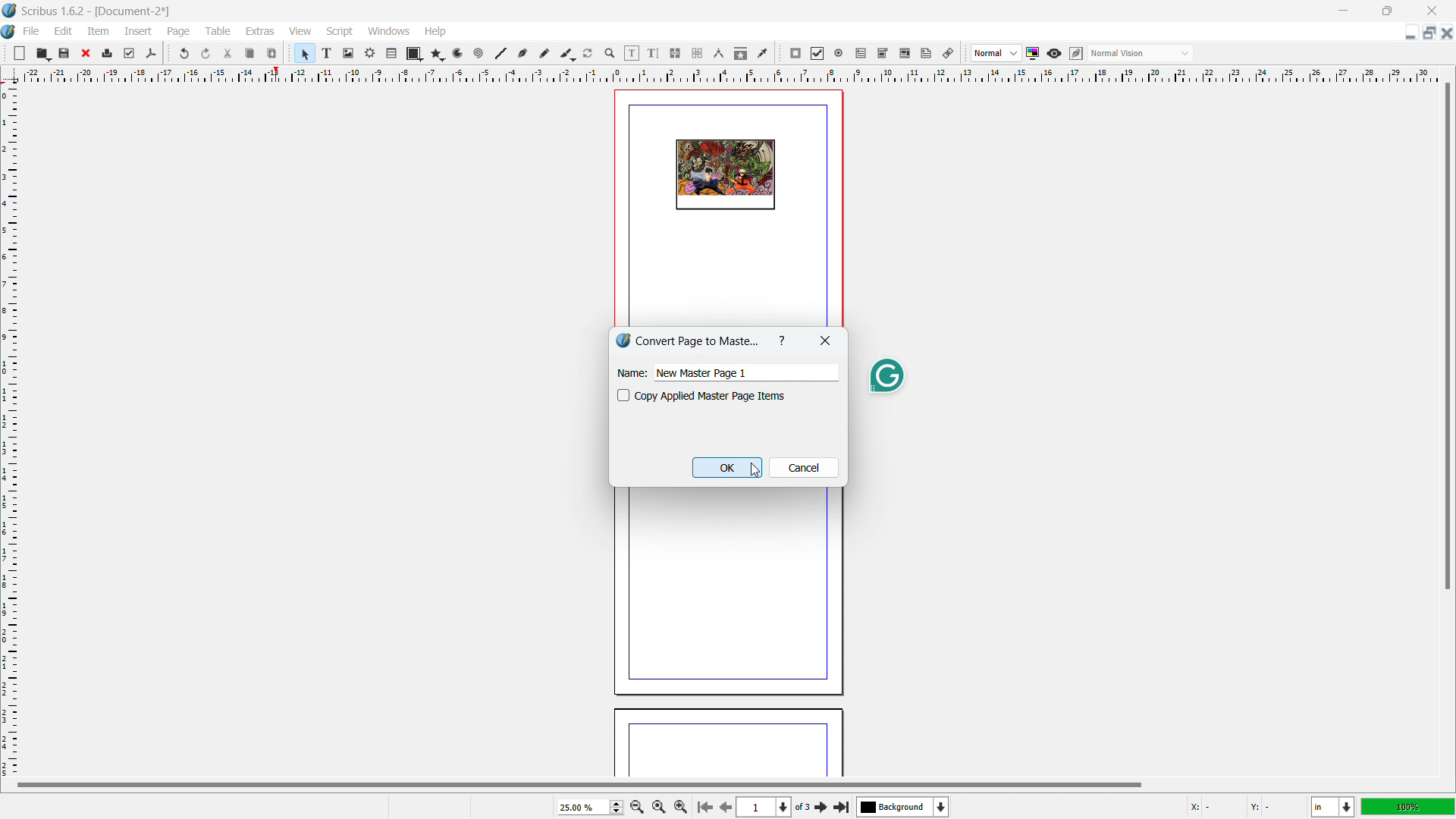 The height and width of the screenshot is (819, 1456). Describe the element at coordinates (730, 74) in the screenshot. I see `horizontal ruler` at that location.